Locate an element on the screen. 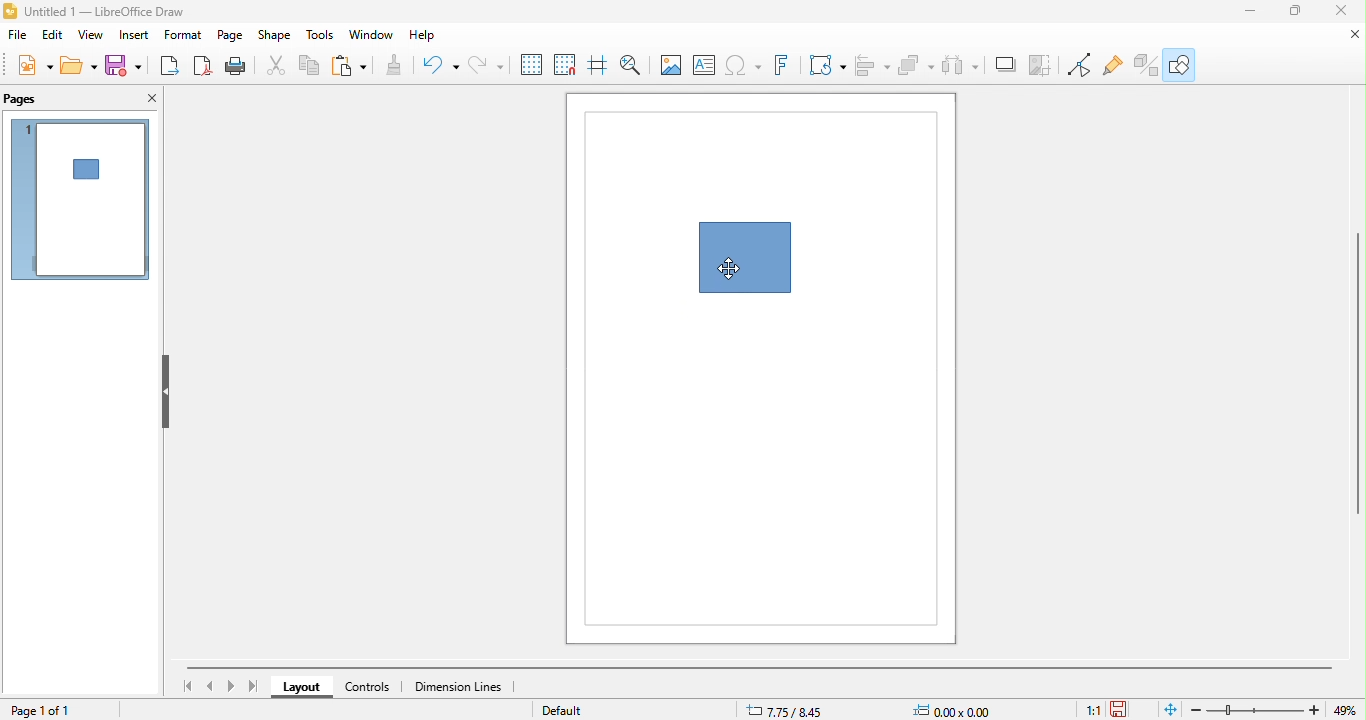 This screenshot has height=720, width=1366. page is located at coordinates (231, 38).